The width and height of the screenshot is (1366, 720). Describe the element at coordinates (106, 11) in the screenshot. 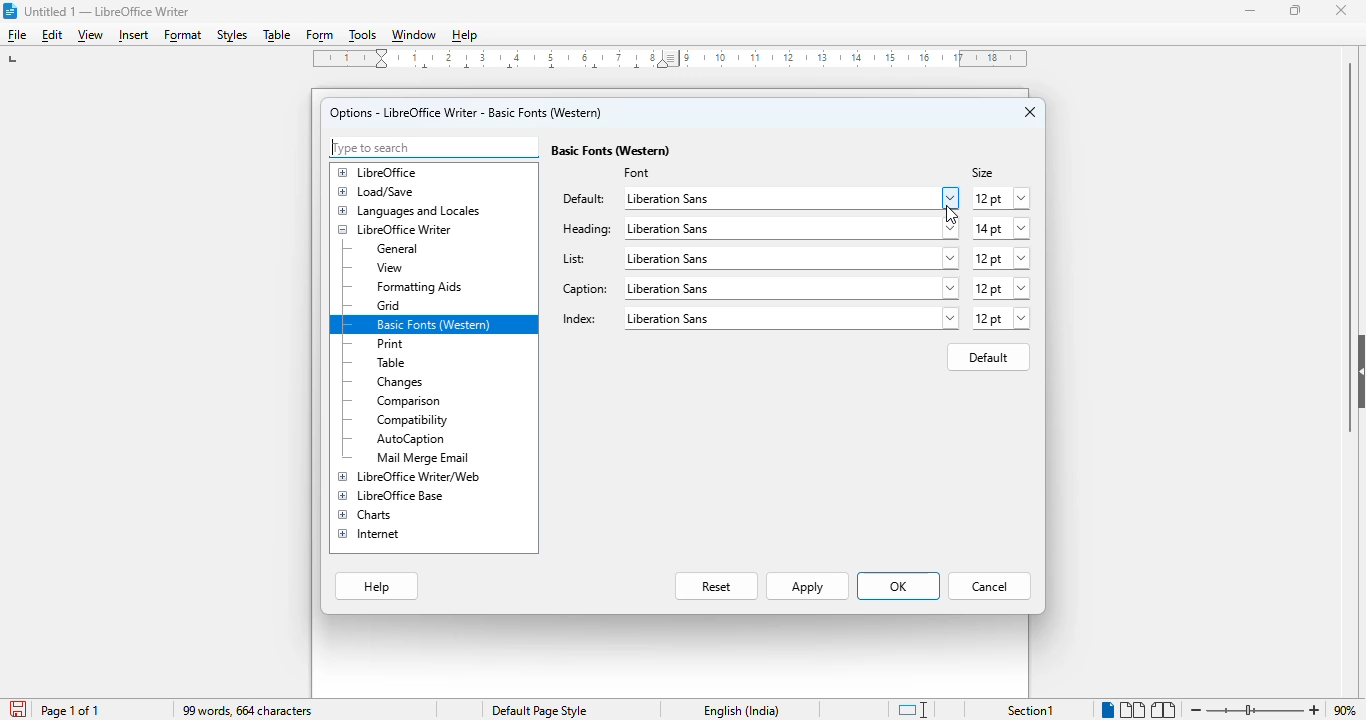

I see `title` at that location.